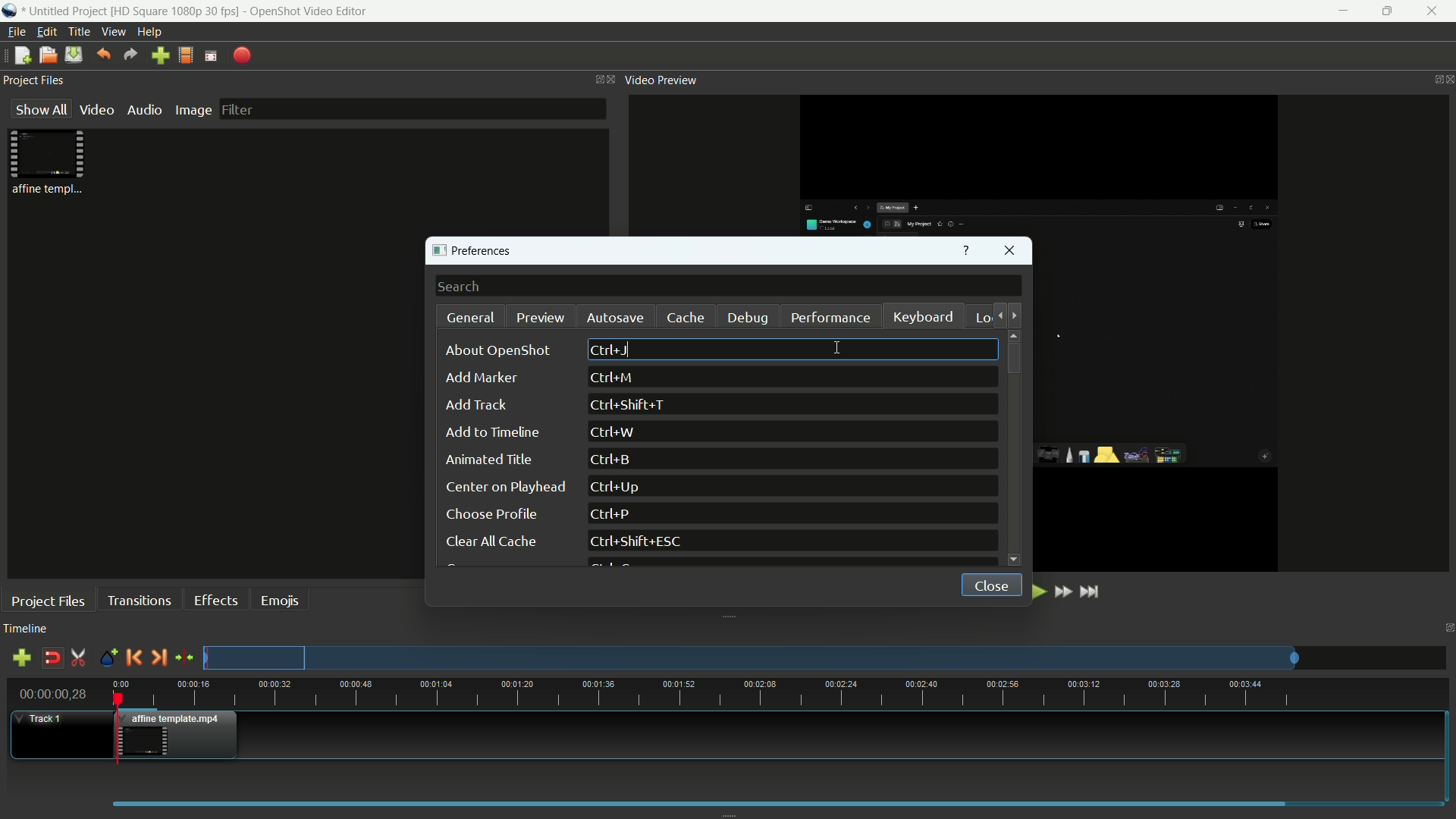 This screenshot has height=819, width=1456. What do you see at coordinates (1011, 253) in the screenshot?
I see `close window` at bounding box center [1011, 253].